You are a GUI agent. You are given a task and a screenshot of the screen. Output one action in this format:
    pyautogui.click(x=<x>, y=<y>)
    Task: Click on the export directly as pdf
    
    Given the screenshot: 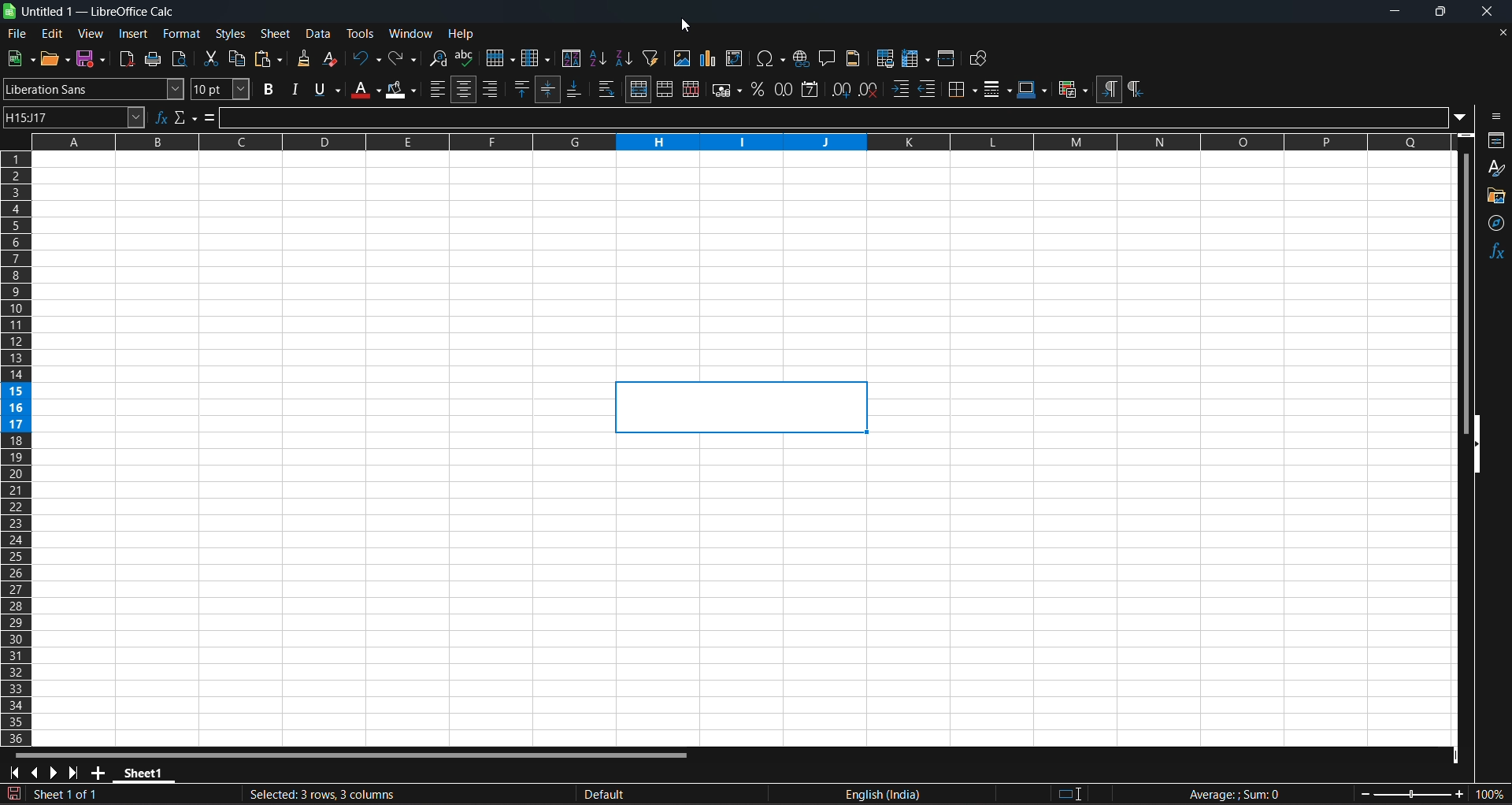 What is the action you would take?
    pyautogui.click(x=124, y=58)
    